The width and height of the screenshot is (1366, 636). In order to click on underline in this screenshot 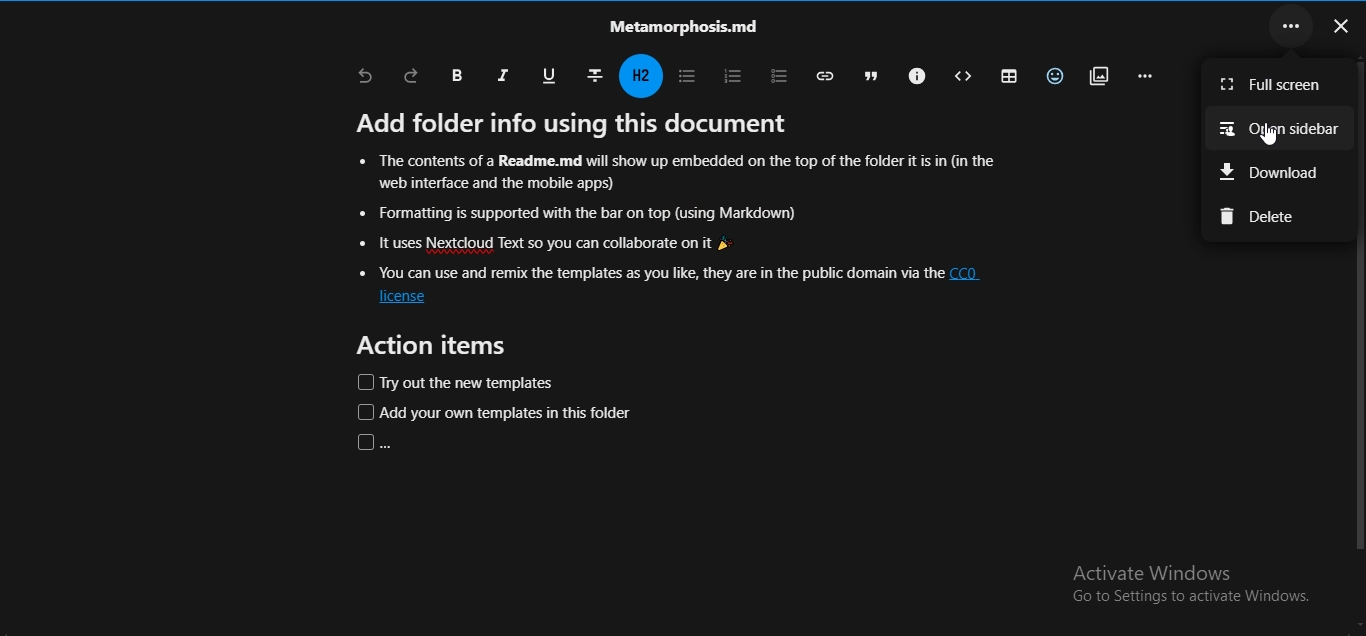, I will do `click(552, 77)`.